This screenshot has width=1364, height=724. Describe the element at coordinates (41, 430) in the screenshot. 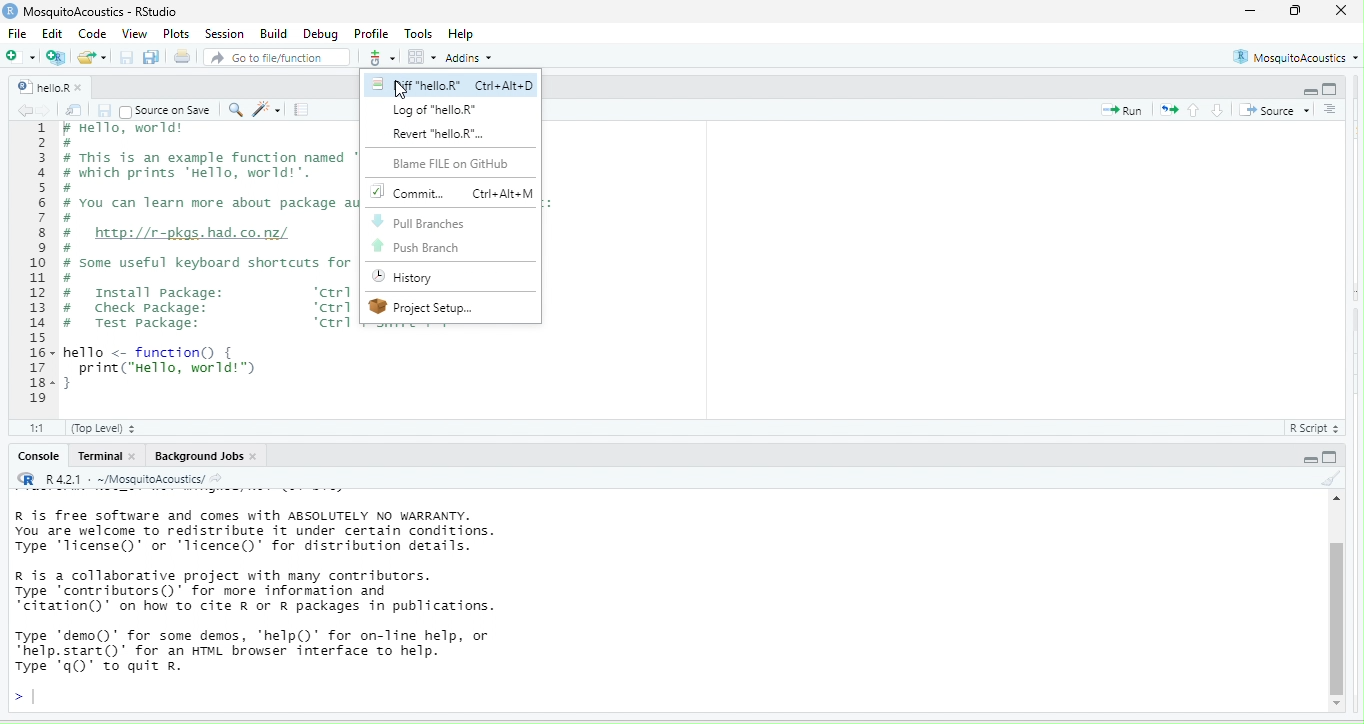

I see `1:1` at that location.